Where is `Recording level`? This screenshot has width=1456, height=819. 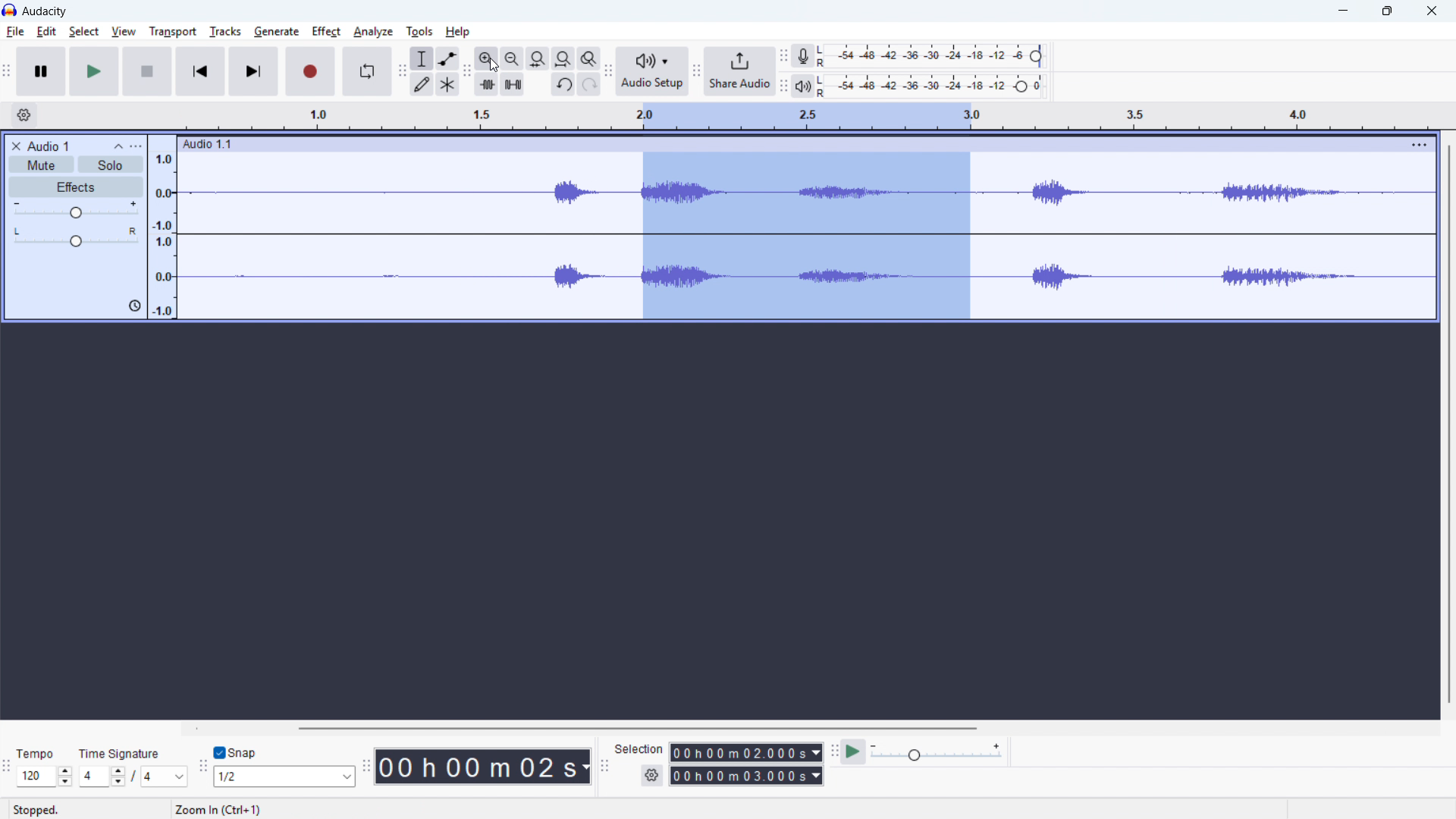 Recording level is located at coordinates (935, 56).